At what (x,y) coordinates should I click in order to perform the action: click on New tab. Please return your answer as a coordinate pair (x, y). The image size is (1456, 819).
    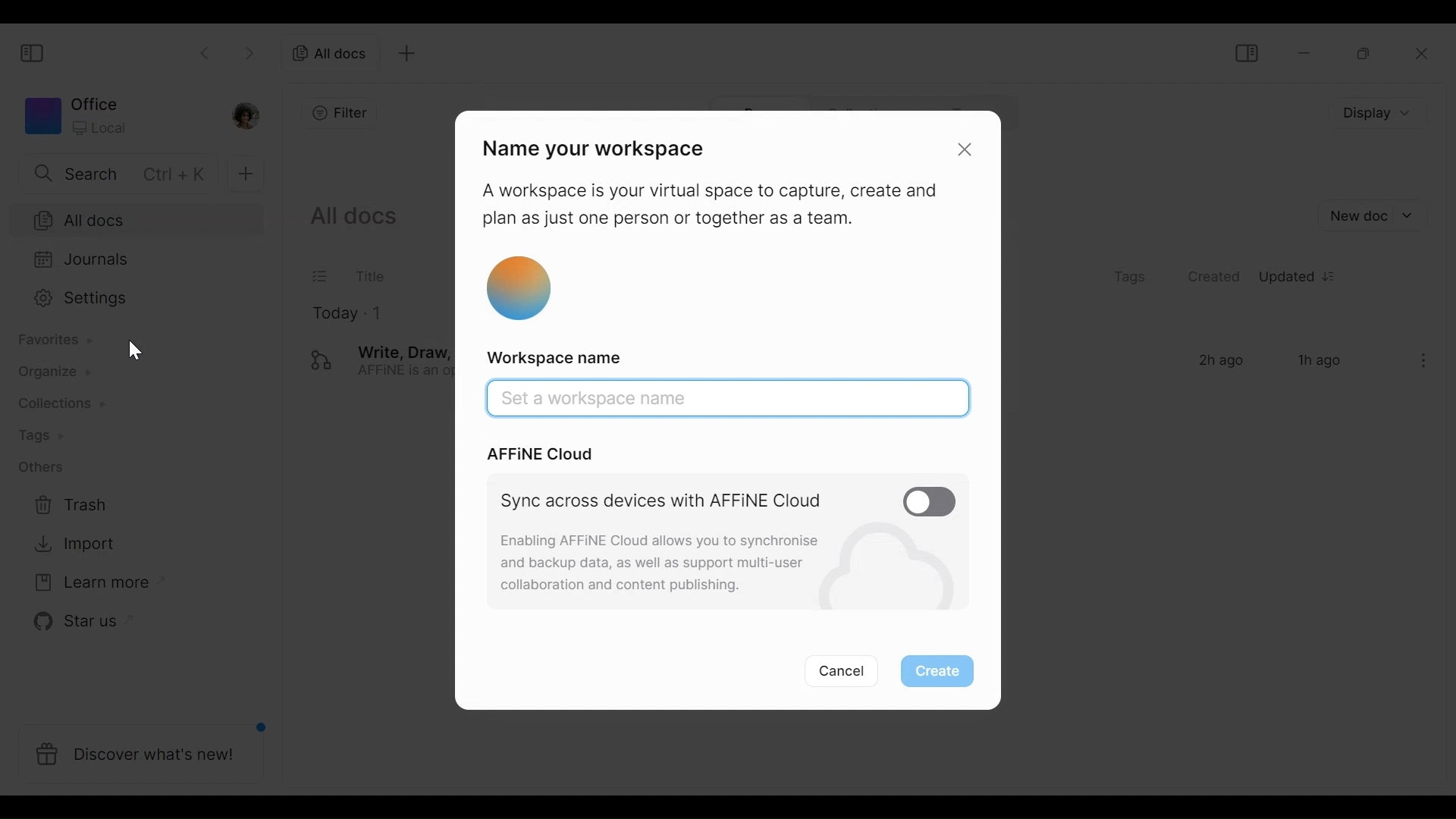
    Looking at the image, I should click on (406, 52).